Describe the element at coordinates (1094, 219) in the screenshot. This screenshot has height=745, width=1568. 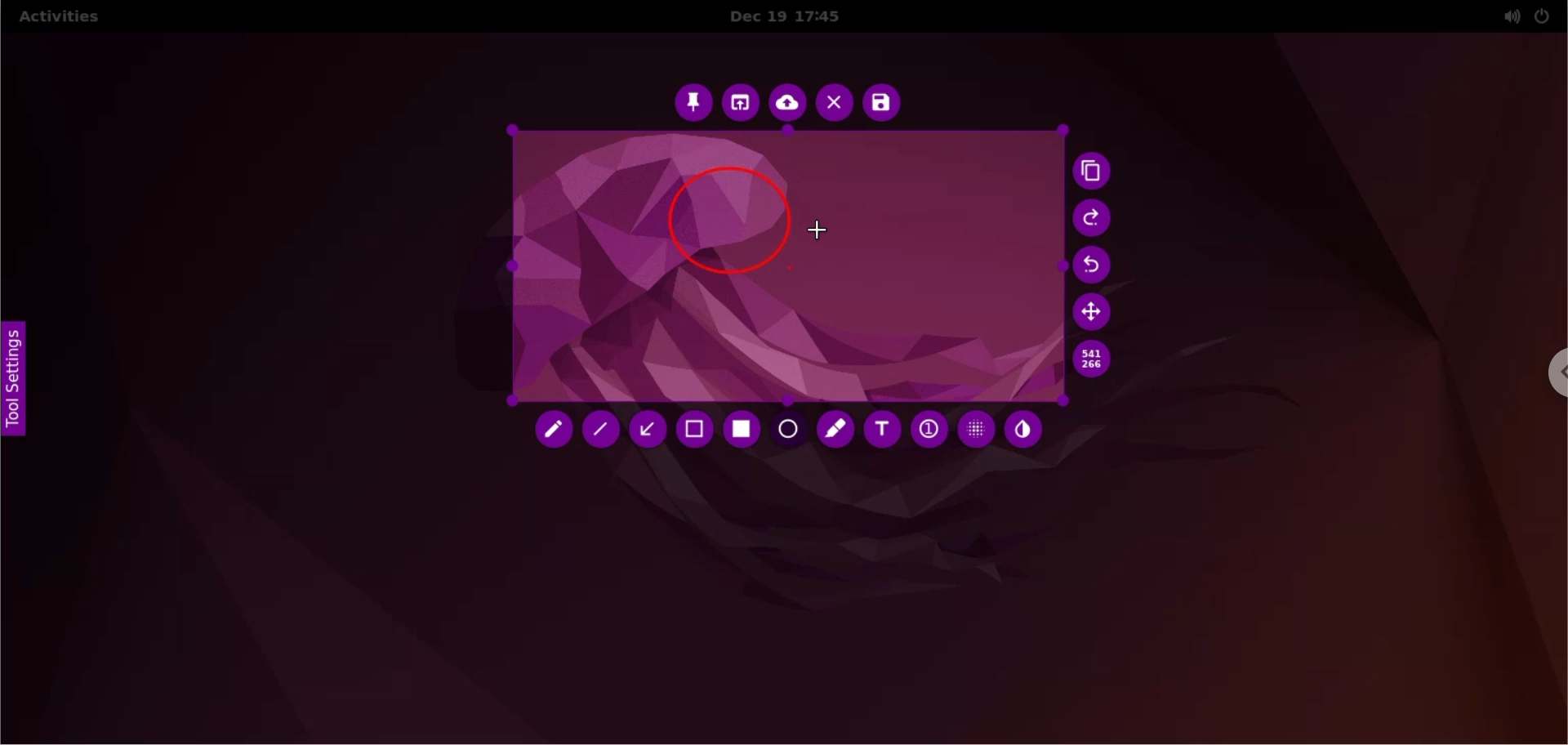
I see `redo` at that location.